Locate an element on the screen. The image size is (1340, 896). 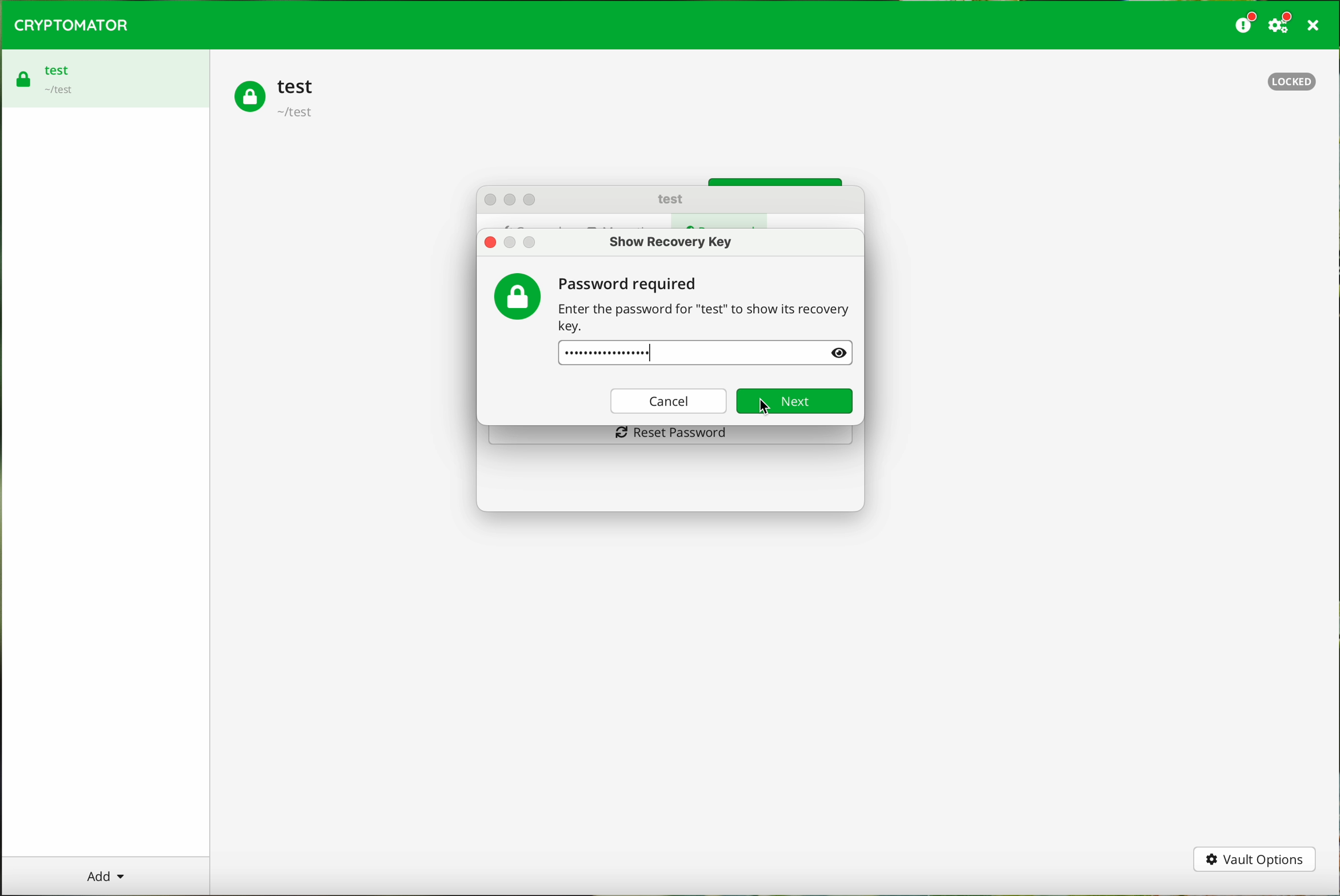
CRYPTOMATOR is located at coordinates (72, 25).